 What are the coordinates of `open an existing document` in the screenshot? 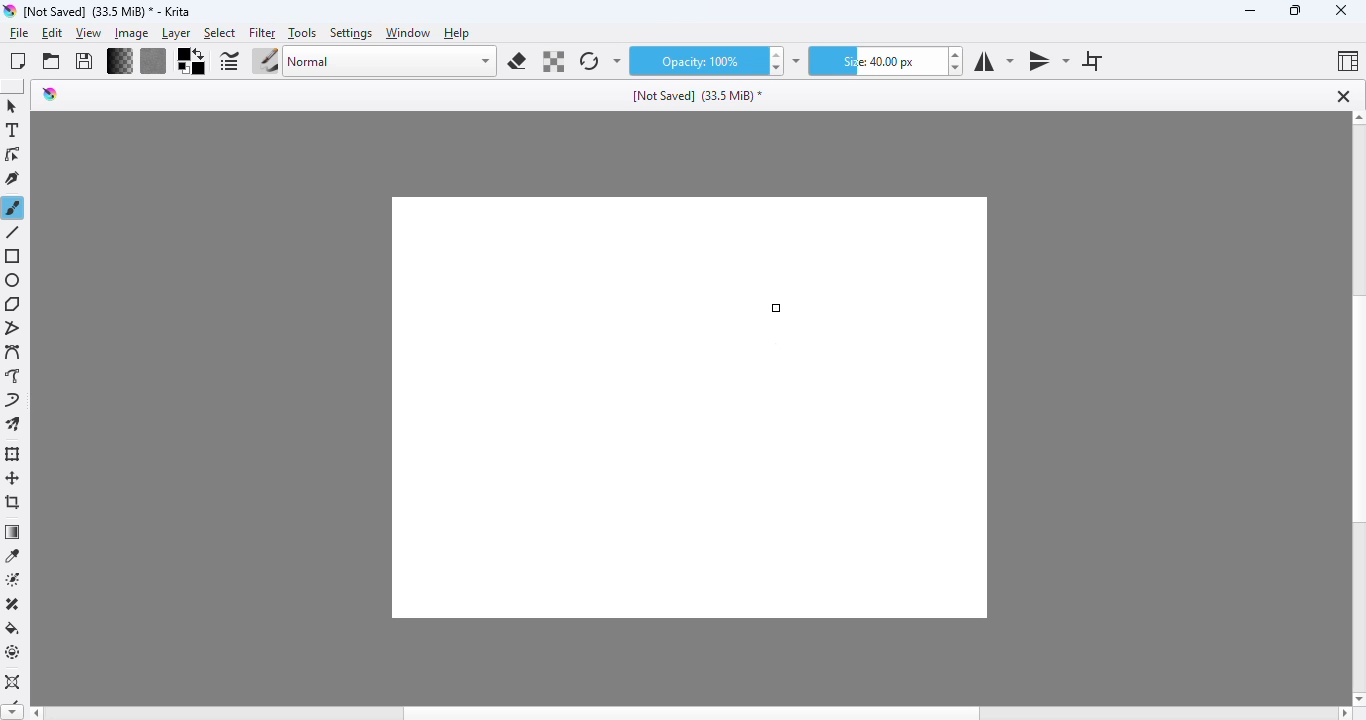 It's located at (51, 62).